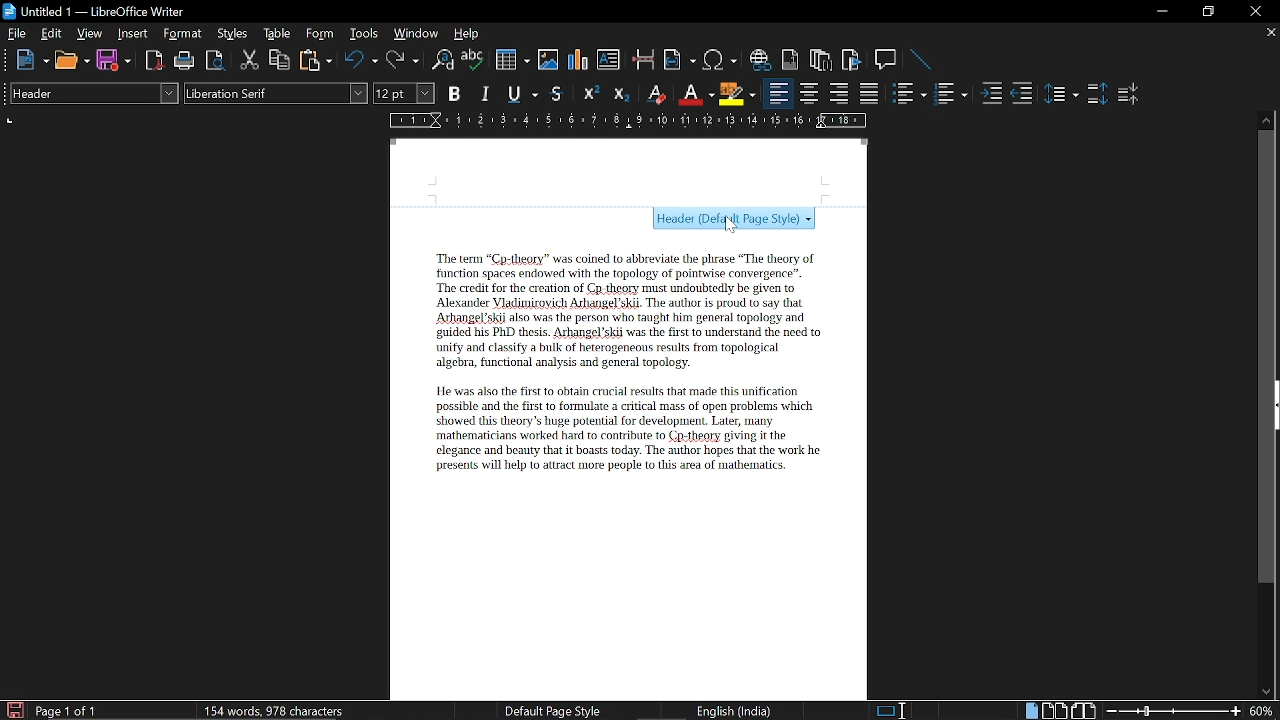 The image size is (1280, 720). What do you see at coordinates (362, 60) in the screenshot?
I see `Undo` at bounding box center [362, 60].